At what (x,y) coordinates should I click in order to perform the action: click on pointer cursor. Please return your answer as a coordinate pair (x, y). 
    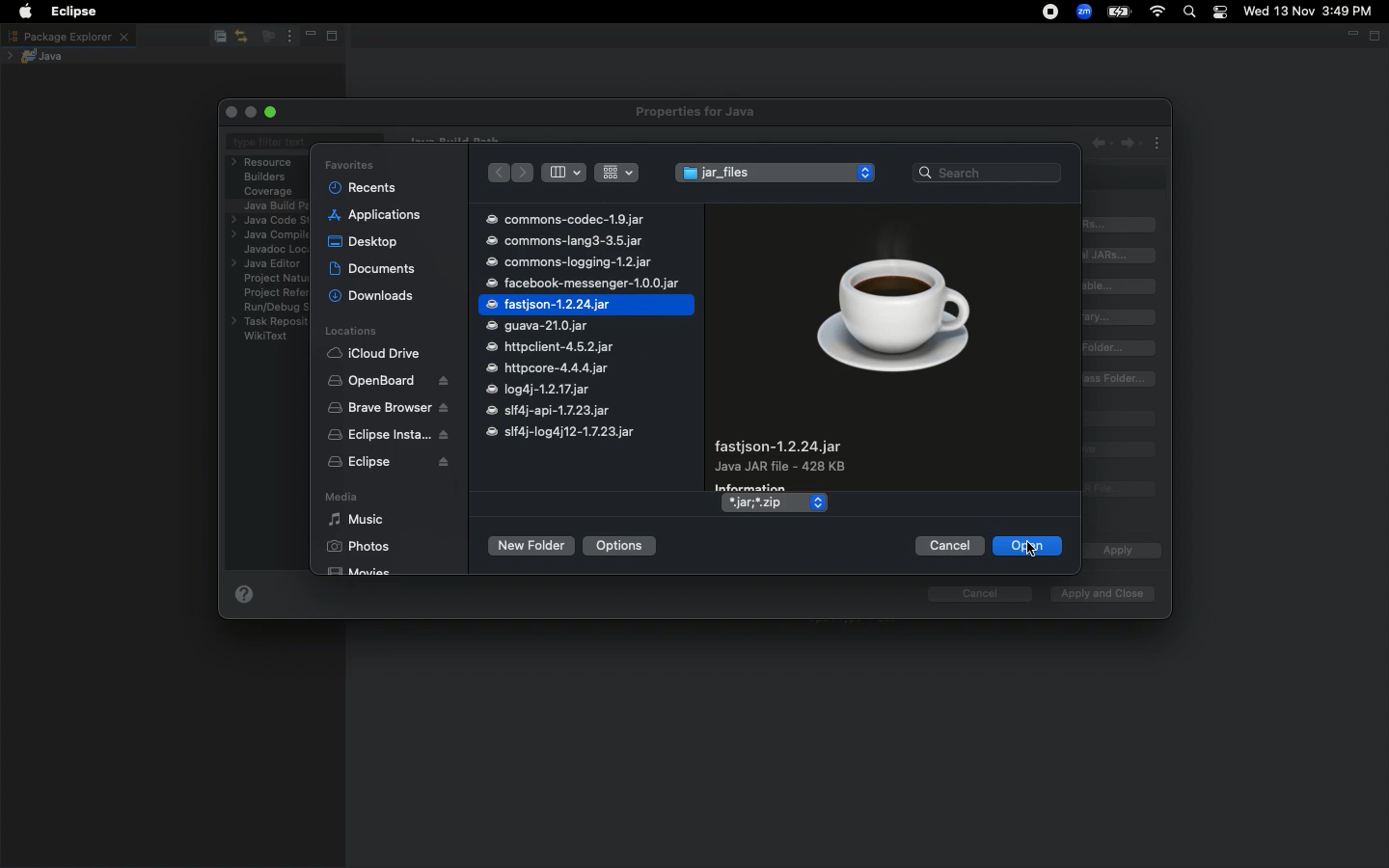
    Looking at the image, I should click on (1028, 552).